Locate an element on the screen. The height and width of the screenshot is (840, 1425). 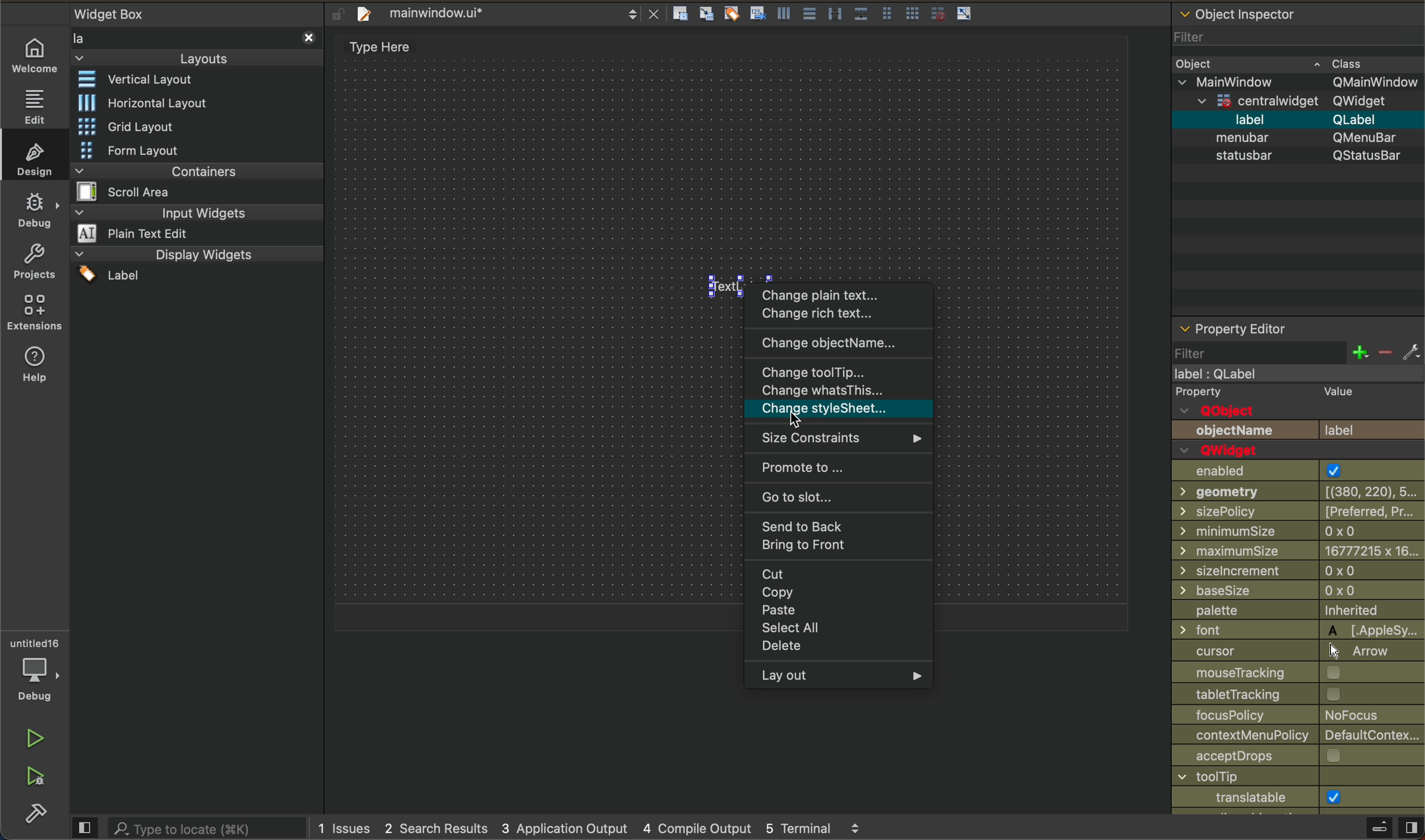
delete is located at coordinates (836, 649).